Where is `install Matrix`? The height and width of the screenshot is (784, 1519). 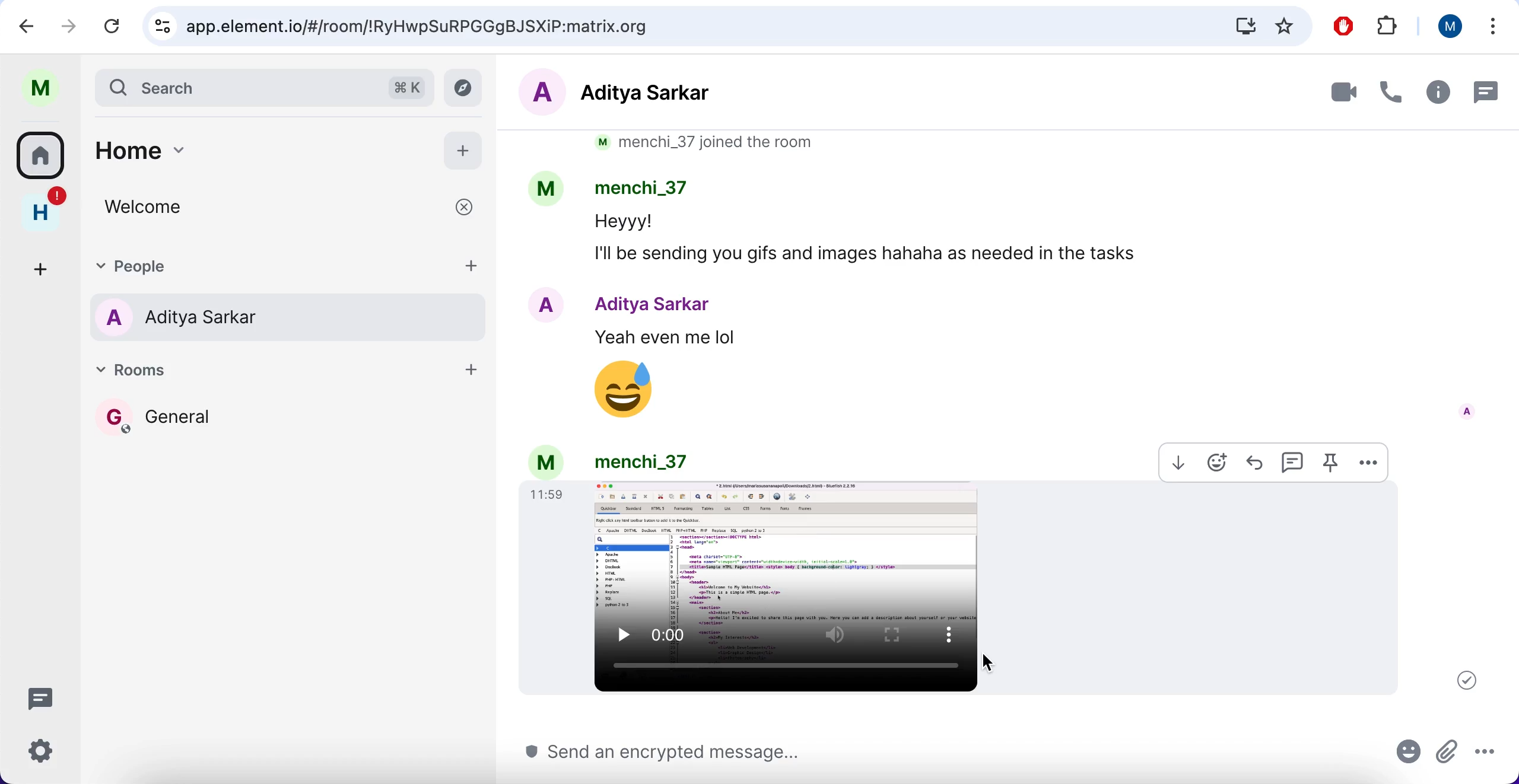
install Matrix is located at coordinates (1247, 23).